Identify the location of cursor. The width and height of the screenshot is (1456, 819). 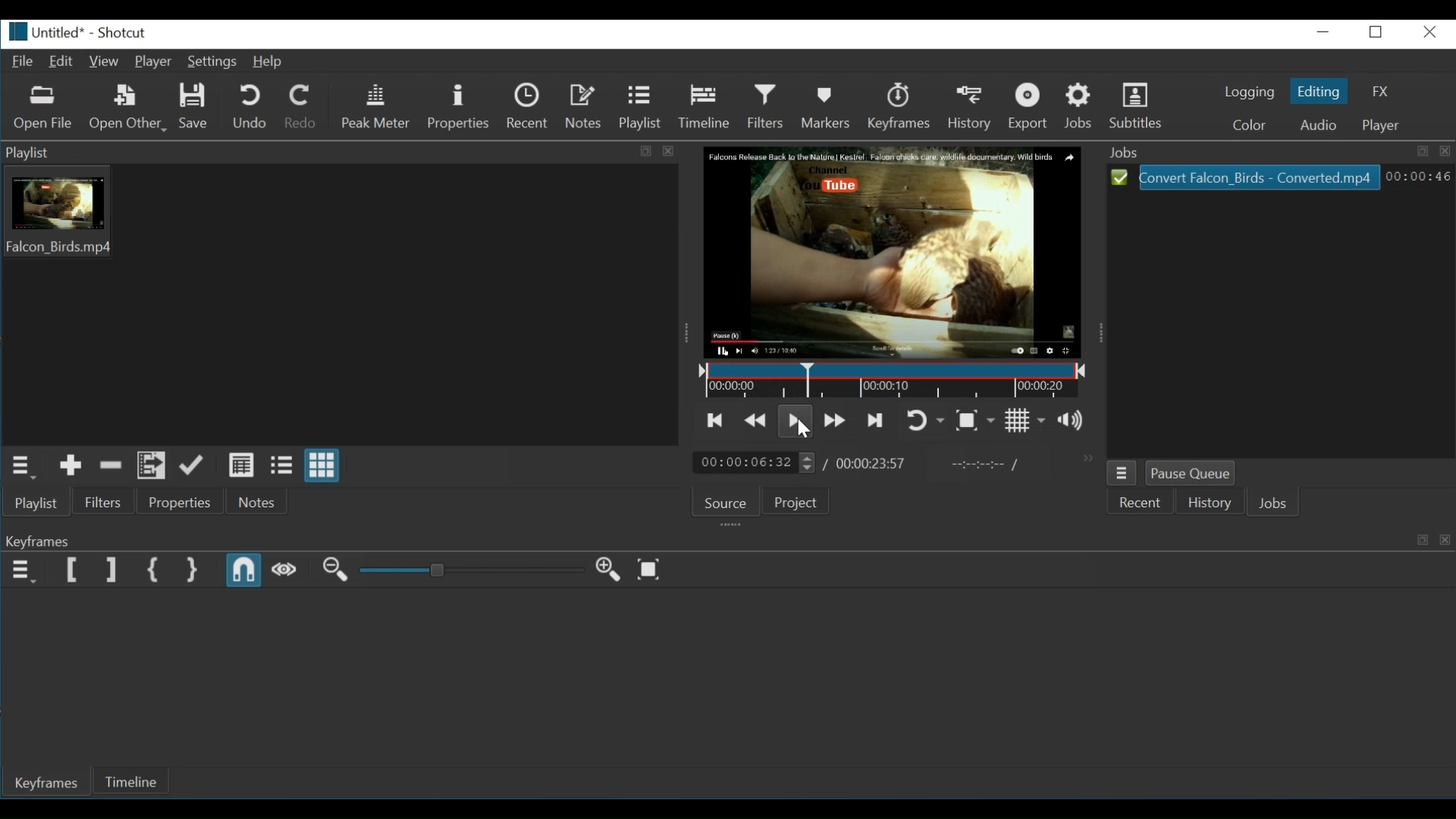
(803, 432).